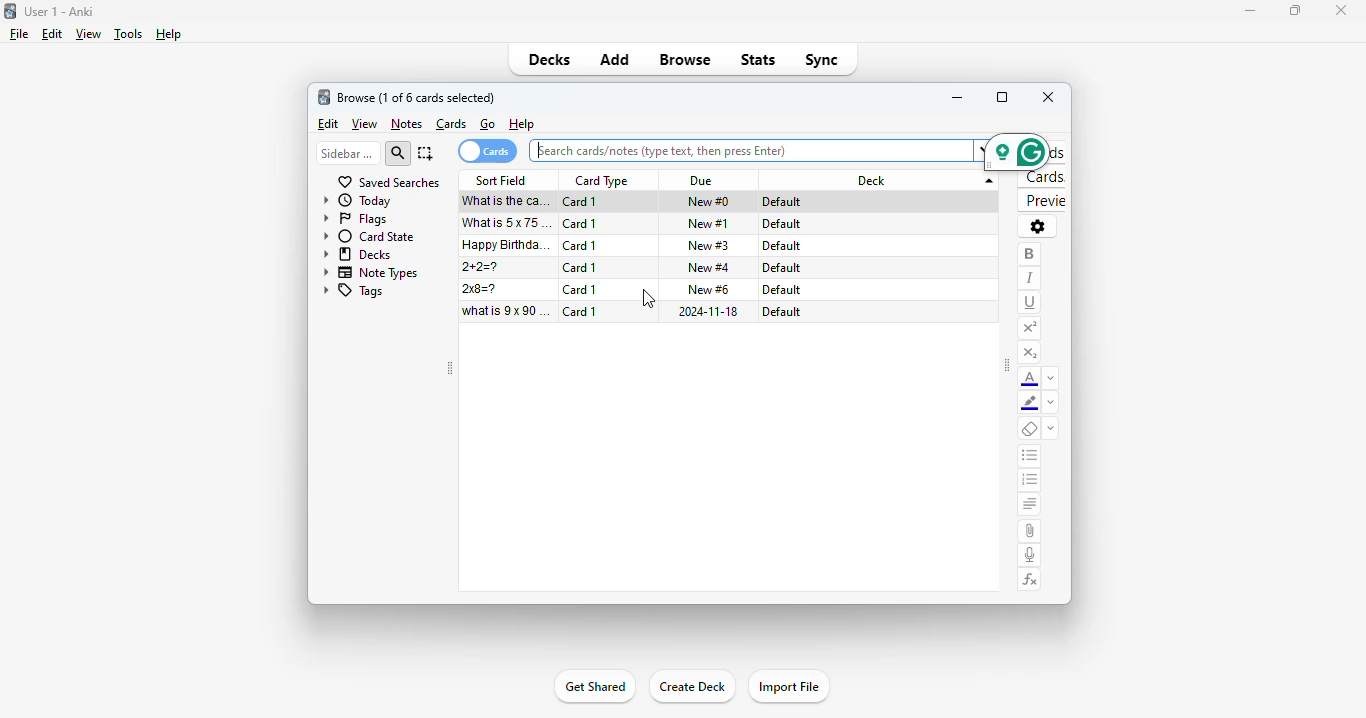 The height and width of the screenshot is (718, 1366). What do you see at coordinates (648, 298) in the screenshot?
I see `cursor` at bounding box center [648, 298].